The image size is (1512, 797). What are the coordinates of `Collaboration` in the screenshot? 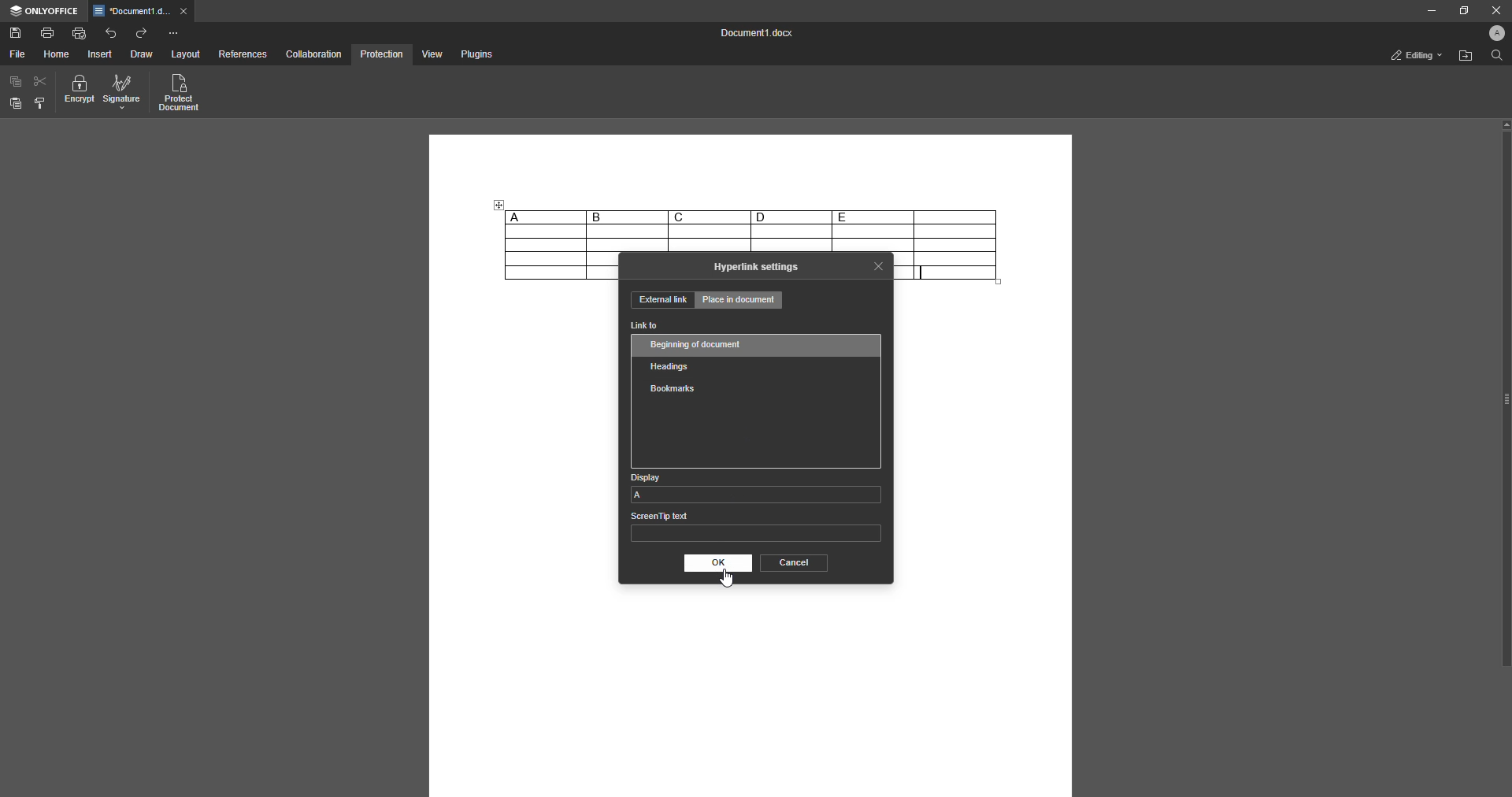 It's located at (314, 54).